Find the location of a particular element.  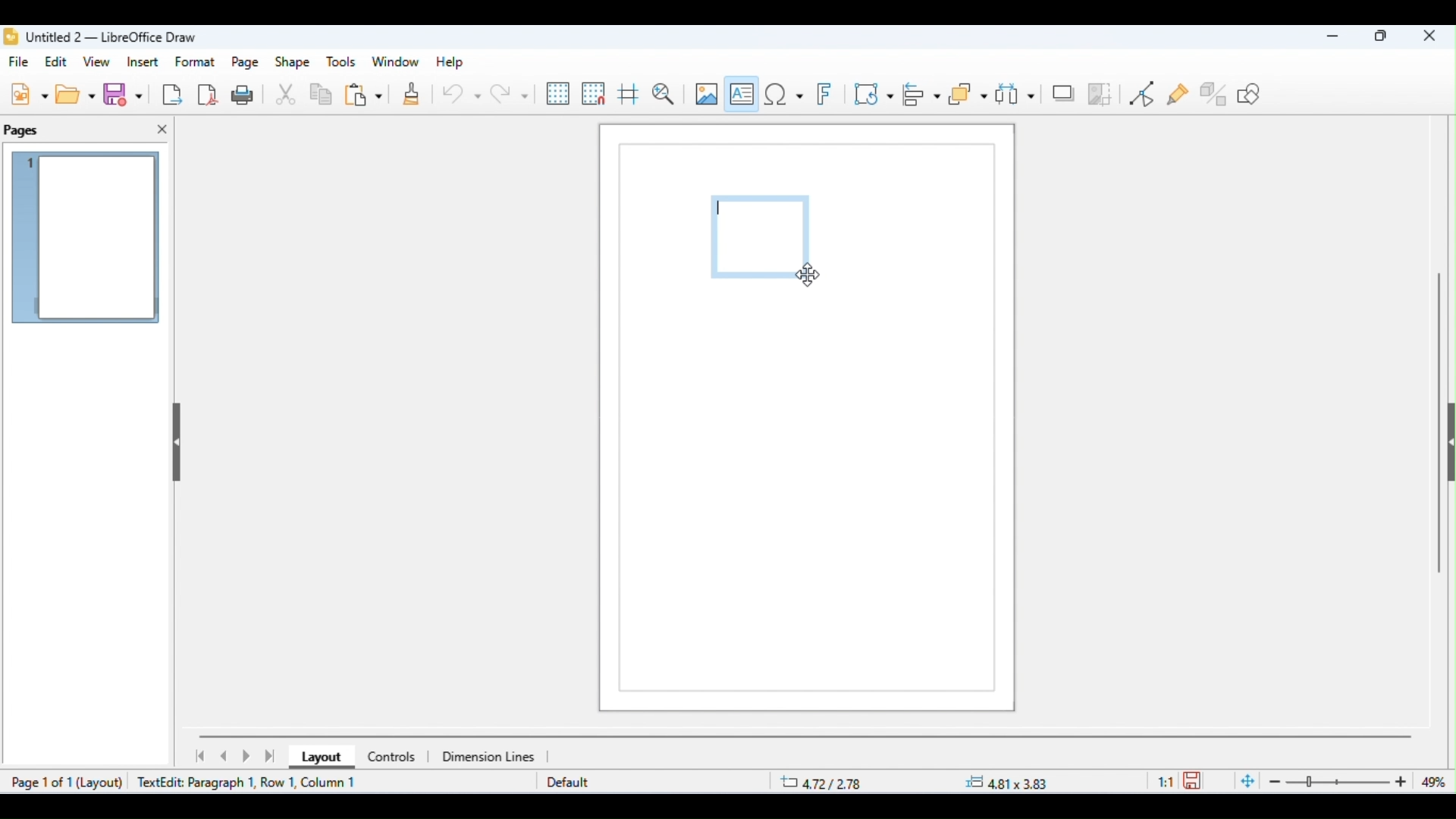

position and size is located at coordinates (916, 783).